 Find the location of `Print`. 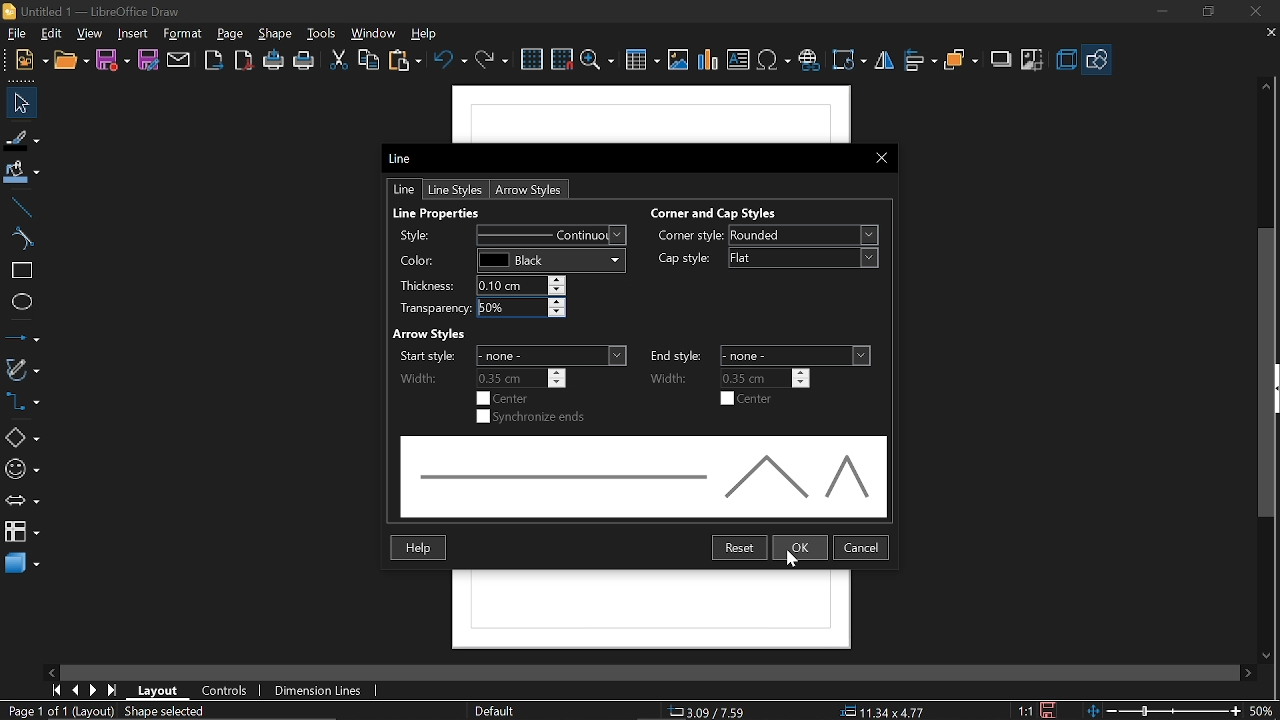

Print is located at coordinates (305, 61).